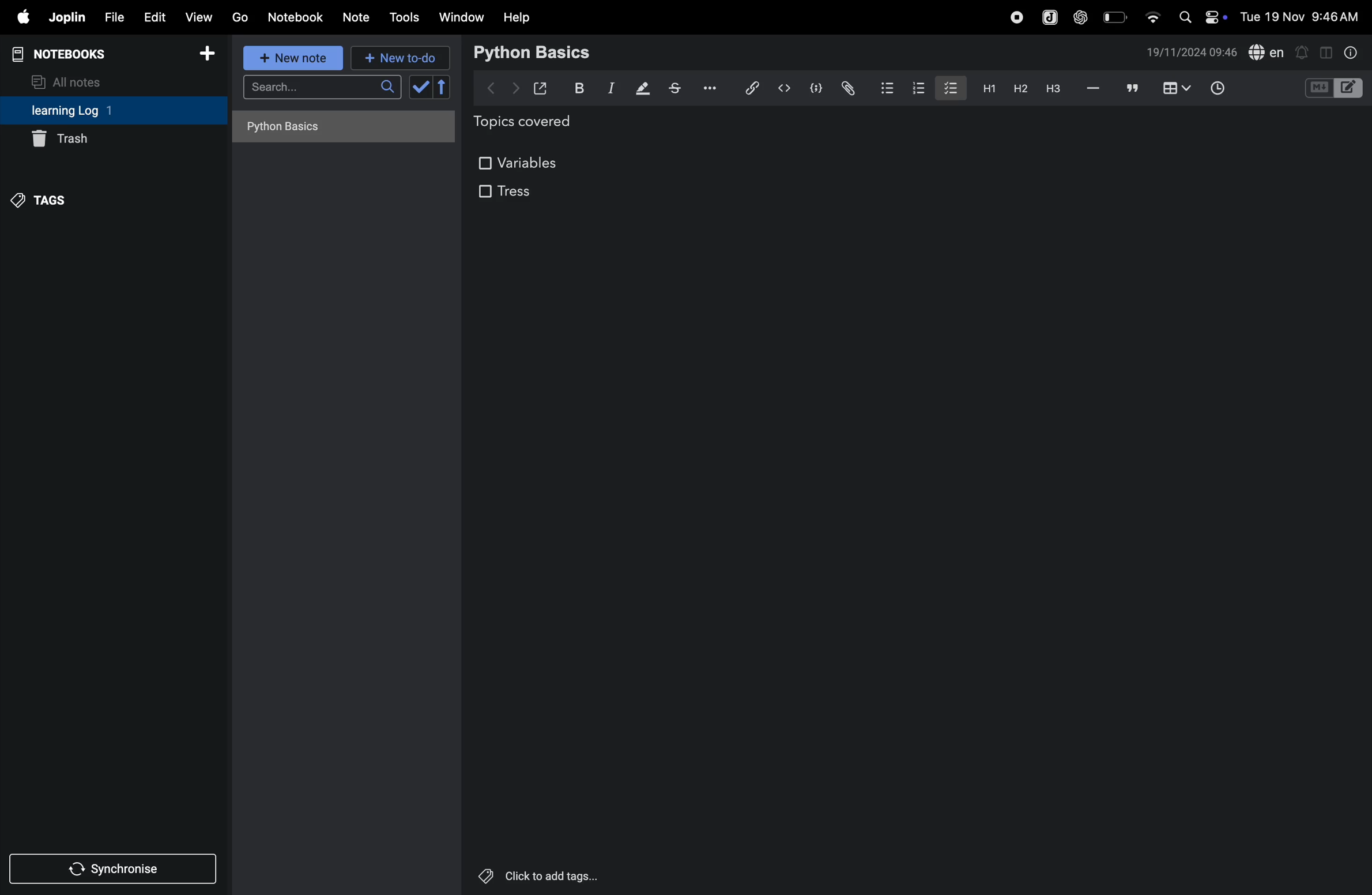 Image resolution: width=1372 pixels, height=895 pixels. What do you see at coordinates (112, 18) in the screenshot?
I see `file` at bounding box center [112, 18].